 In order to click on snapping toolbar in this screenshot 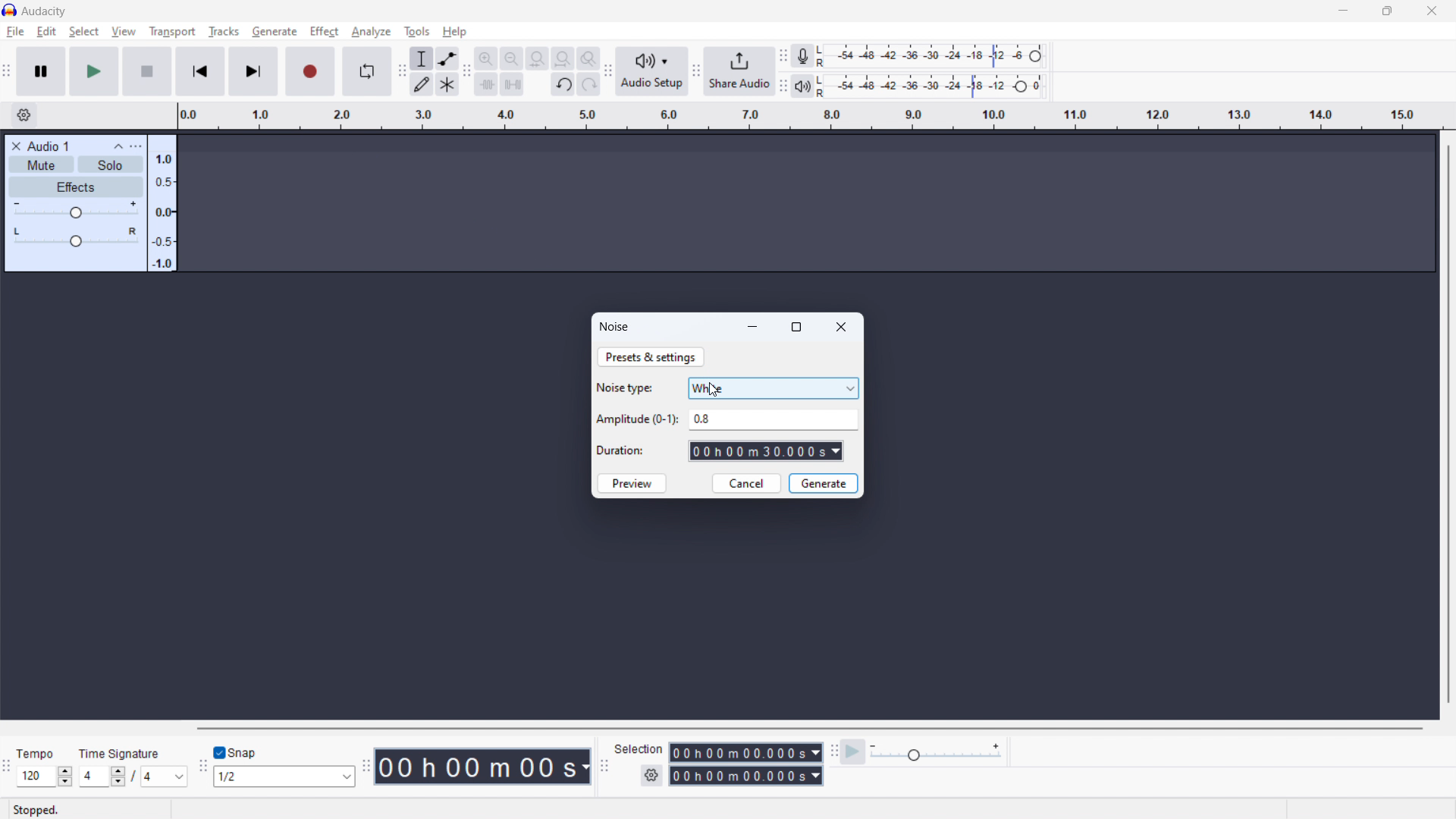, I will do `click(204, 767)`.